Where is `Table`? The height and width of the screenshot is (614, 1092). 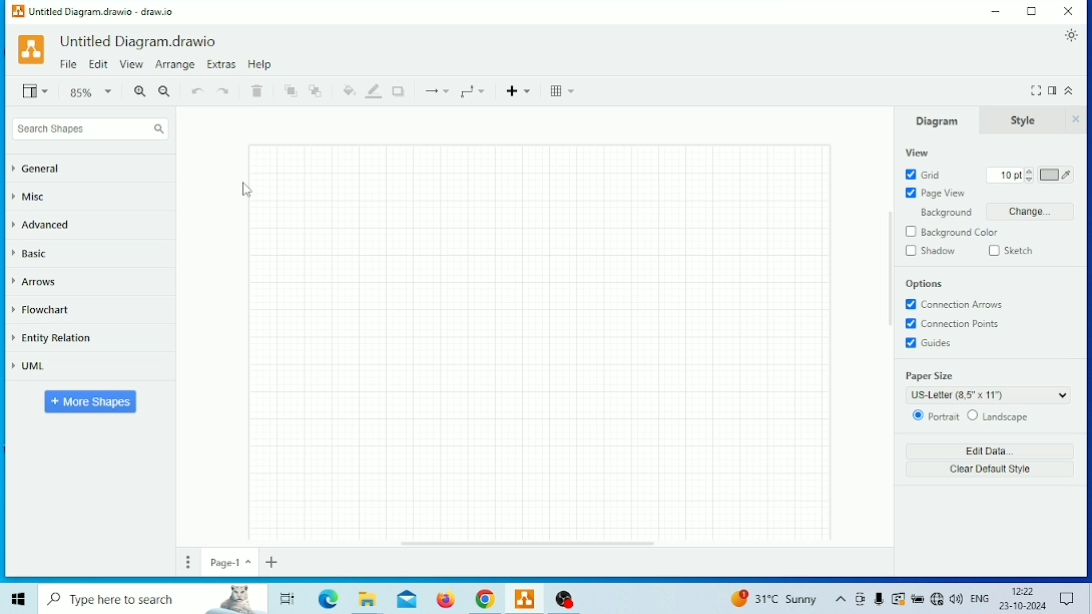 Table is located at coordinates (563, 91).